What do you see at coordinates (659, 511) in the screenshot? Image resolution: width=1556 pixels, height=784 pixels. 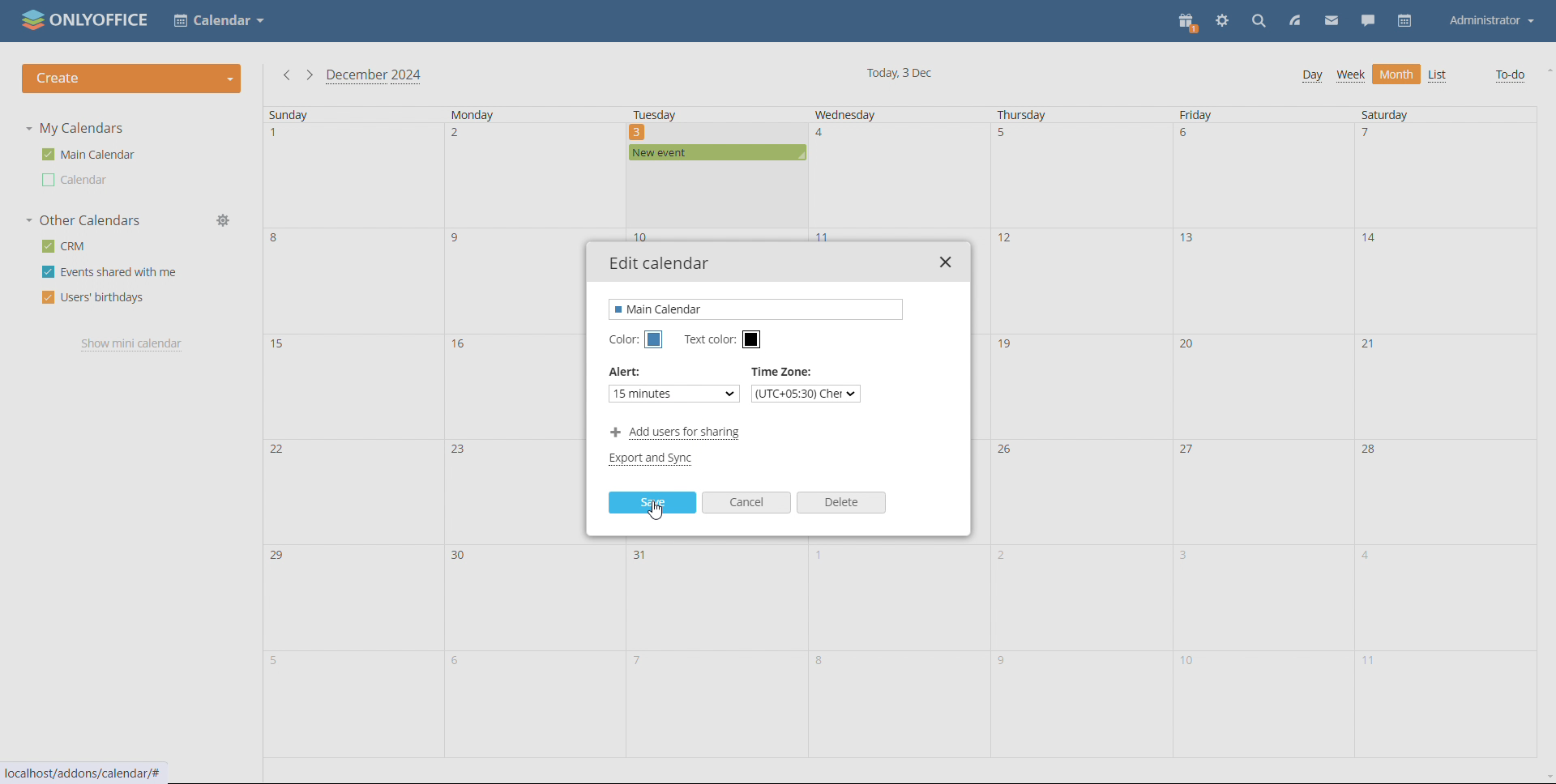 I see `cursor` at bounding box center [659, 511].